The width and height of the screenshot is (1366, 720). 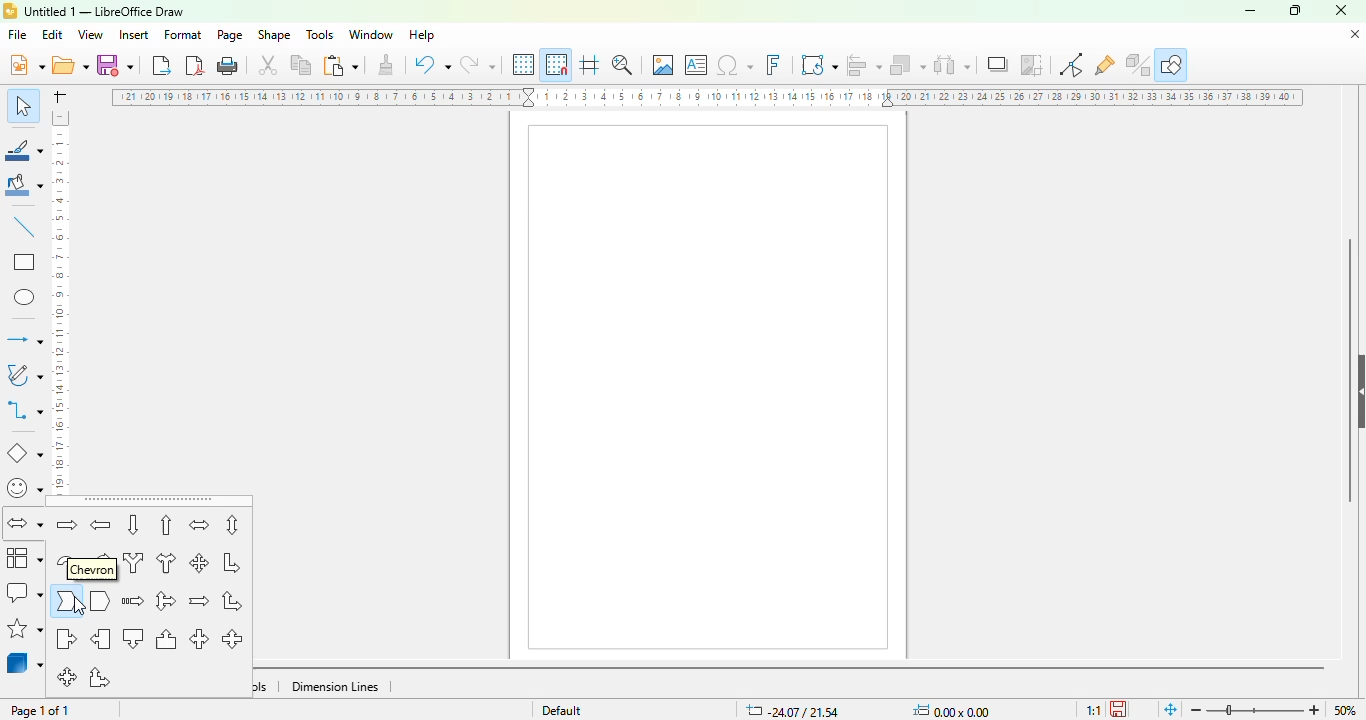 I want to click on fit page to current window, so click(x=1171, y=710).